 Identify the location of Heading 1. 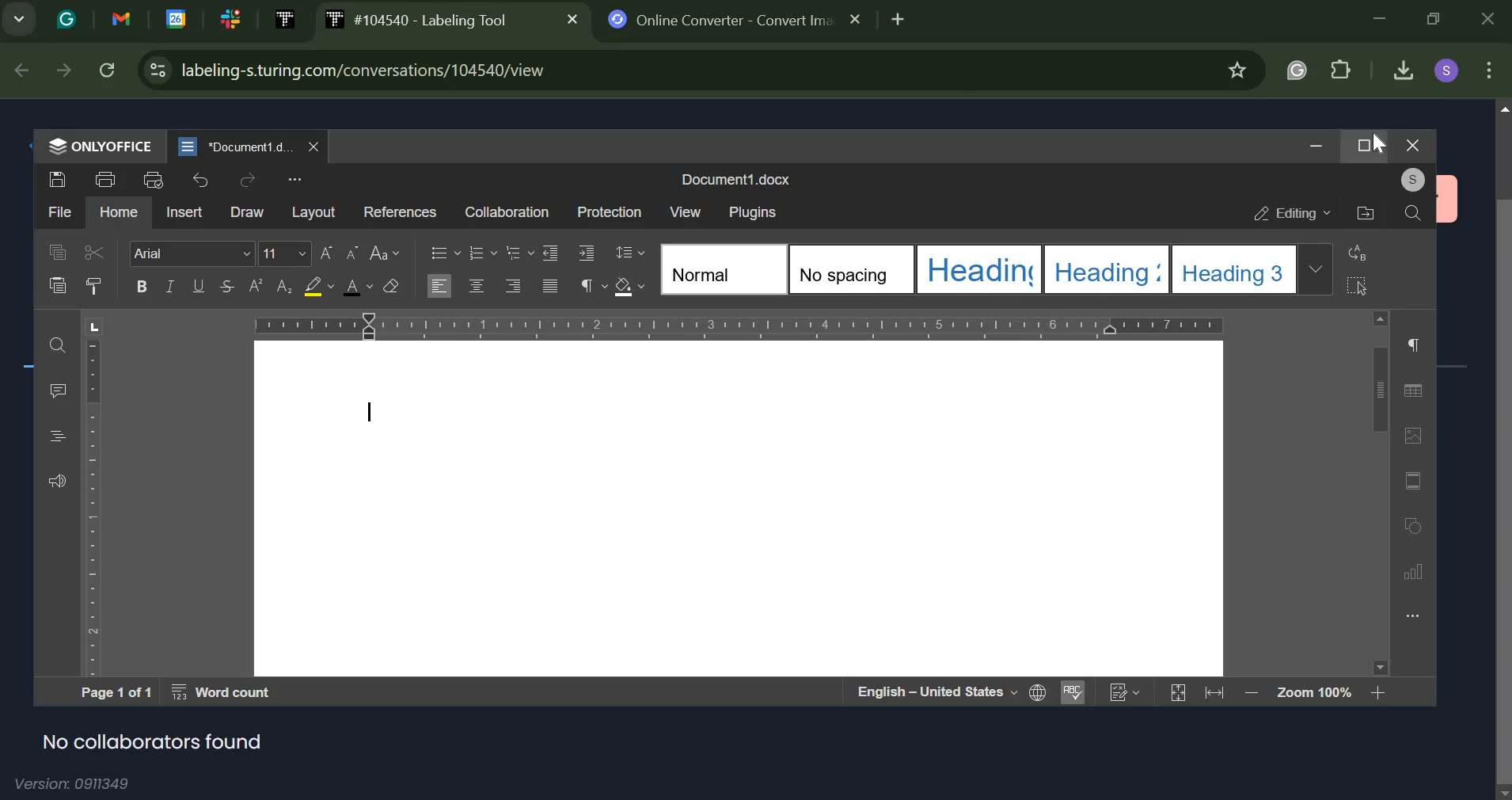
(979, 270).